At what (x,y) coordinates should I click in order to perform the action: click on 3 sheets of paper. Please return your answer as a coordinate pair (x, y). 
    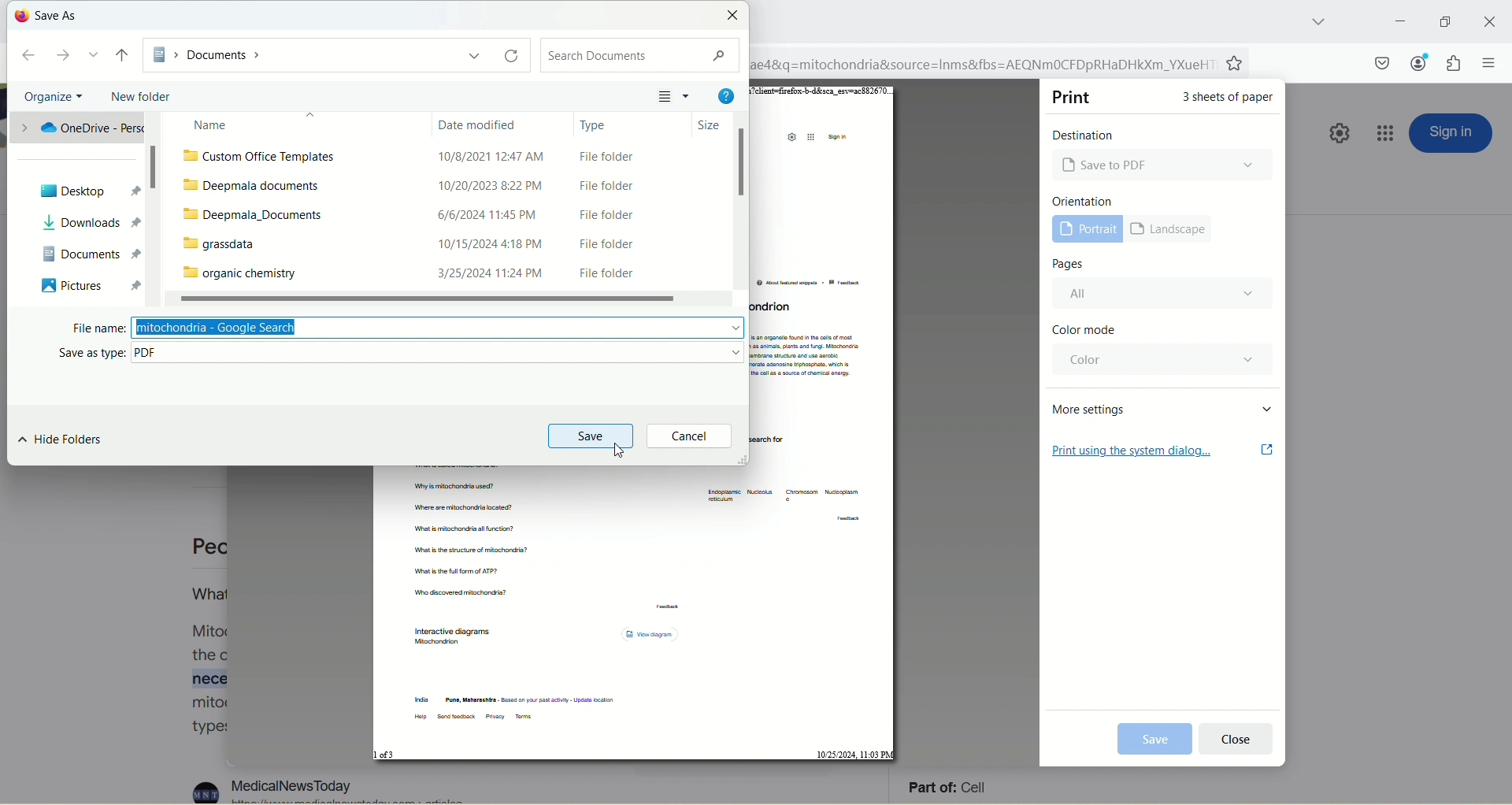
    Looking at the image, I should click on (1229, 101).